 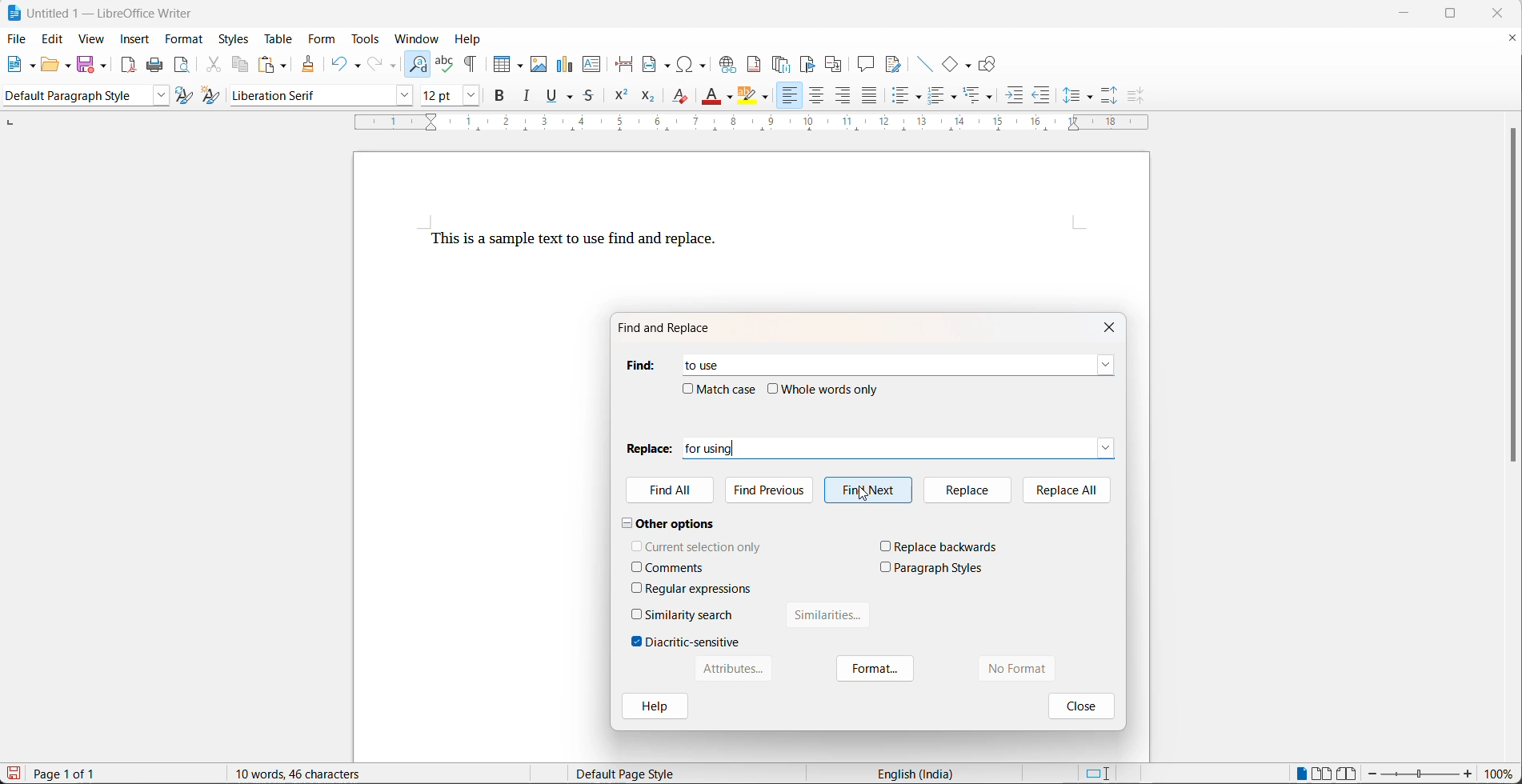 I want to click on checkbox, so click(x=886, y=546).